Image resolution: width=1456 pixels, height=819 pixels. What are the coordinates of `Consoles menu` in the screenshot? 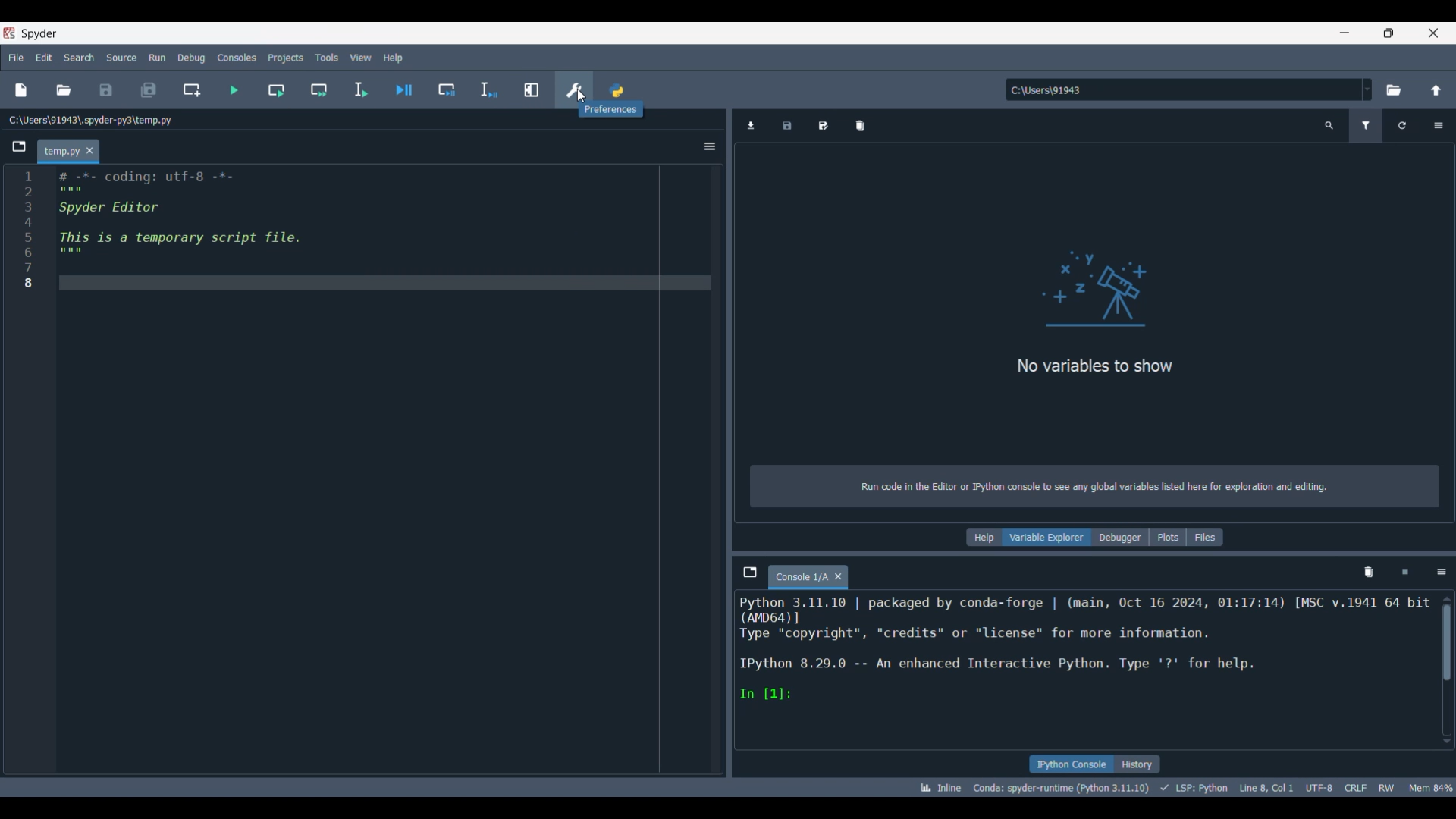 It's located at (237, 58).